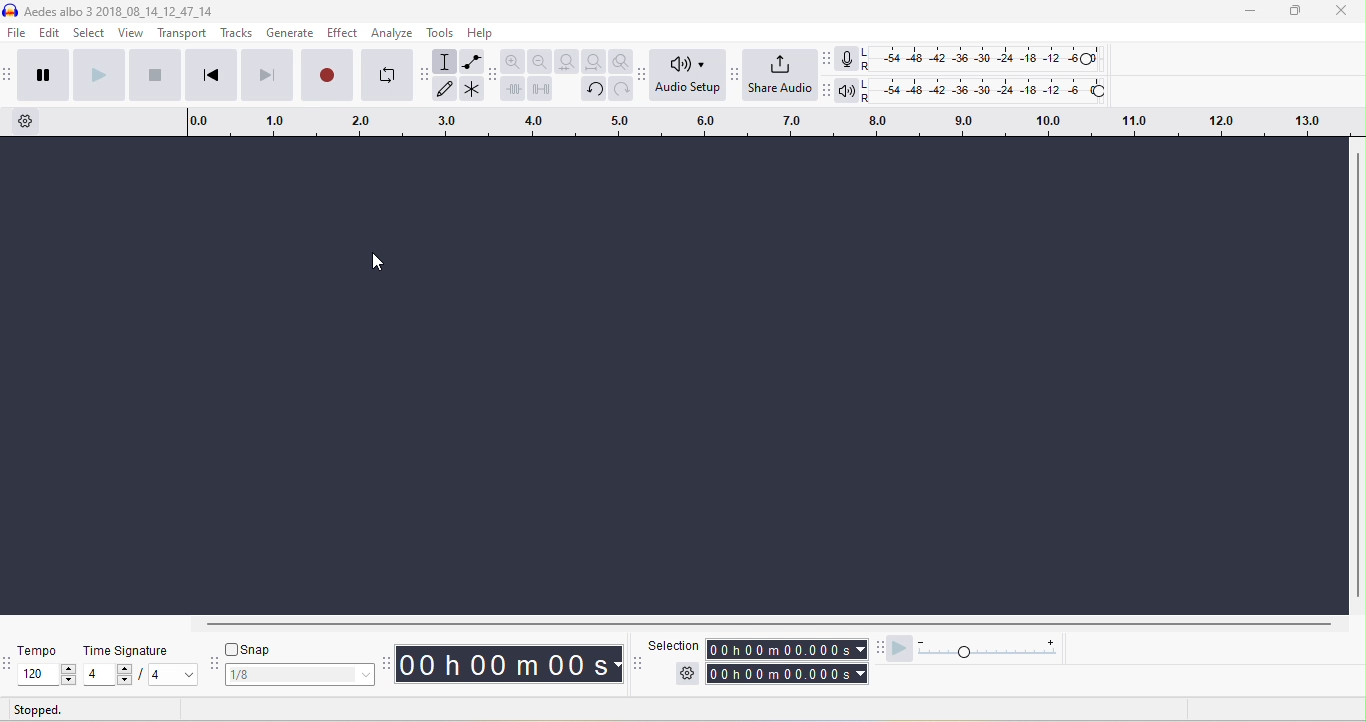 This screenshot has height=722, width=1366. Describe the element at coordinates (774, 625) in the screenshot. I see `horizontal scroll bar` at that location.